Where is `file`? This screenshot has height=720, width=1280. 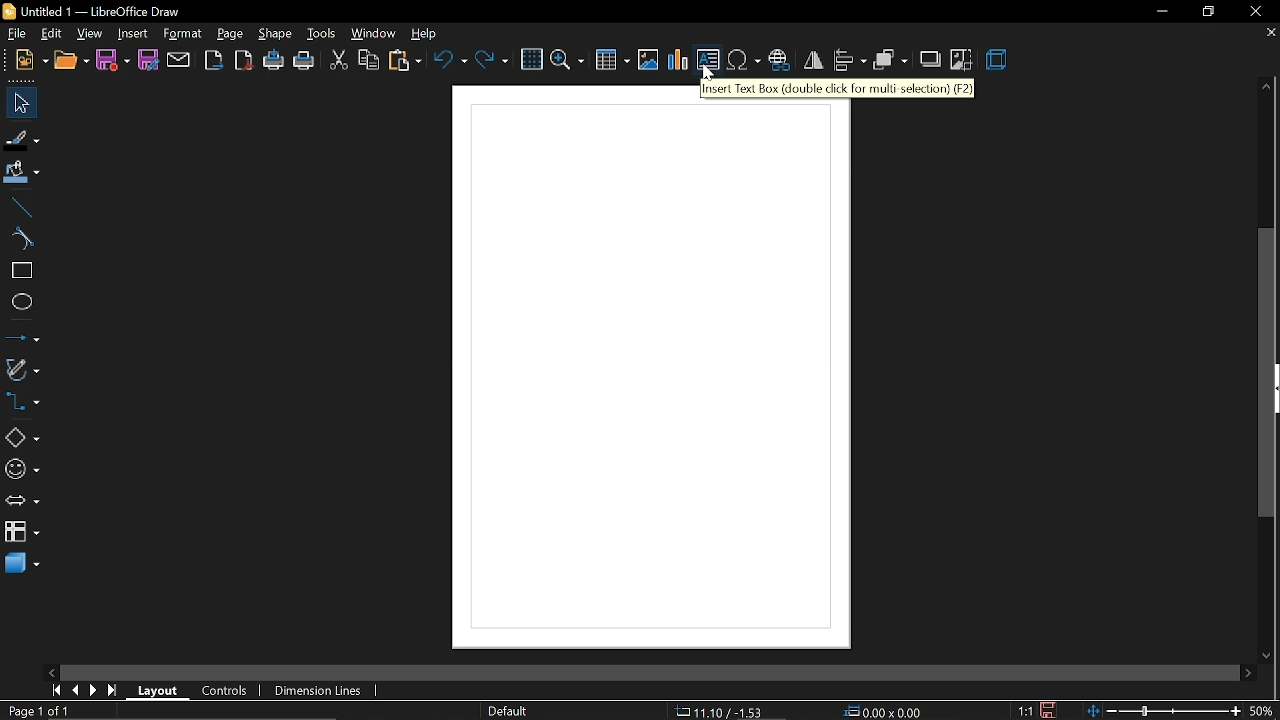 file is located at coordinates (18, 36).